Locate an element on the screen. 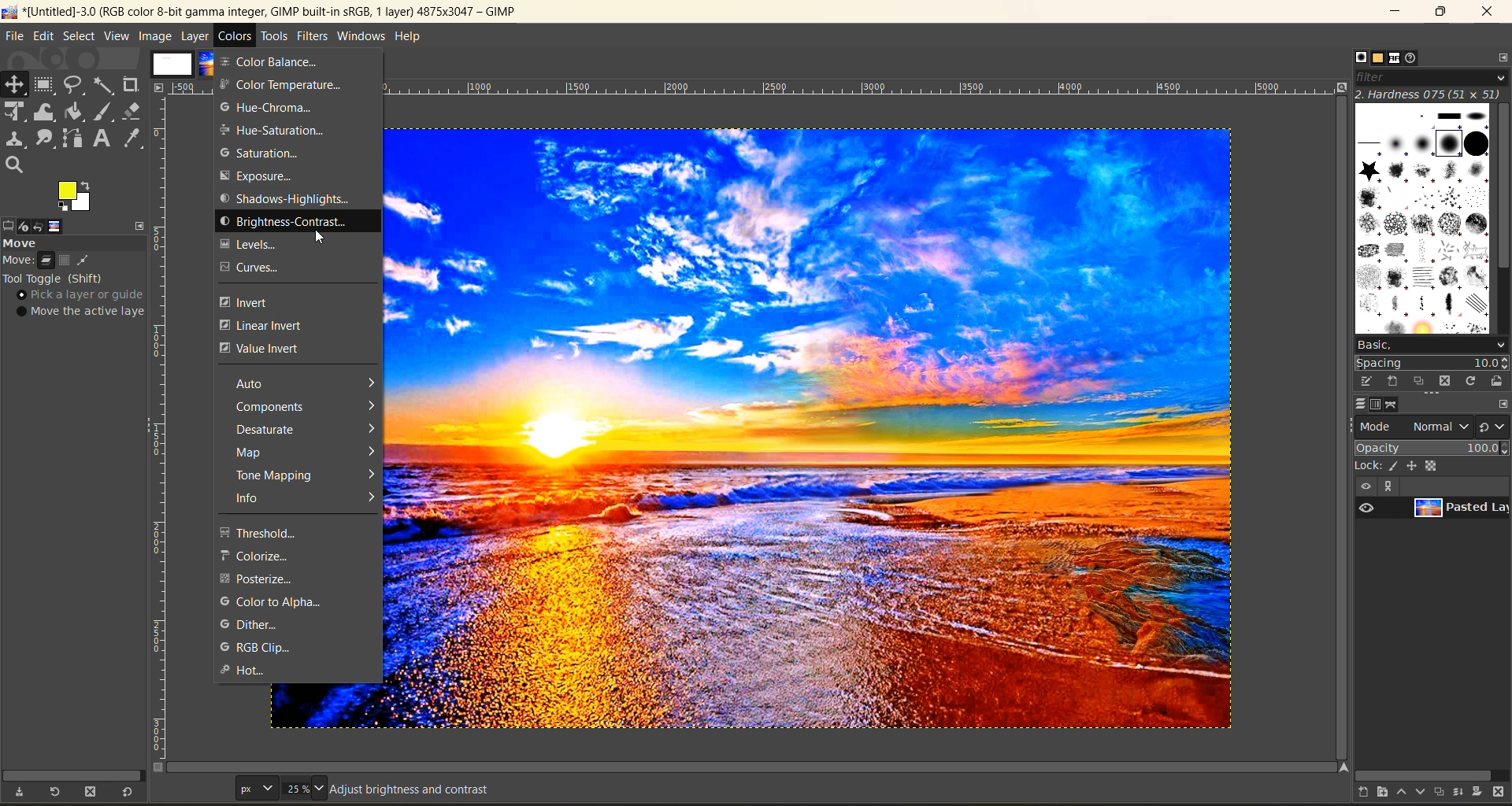 The height and width of the screenshot is (806, 1512). delete tool preset is located at coordinates (93, 792).